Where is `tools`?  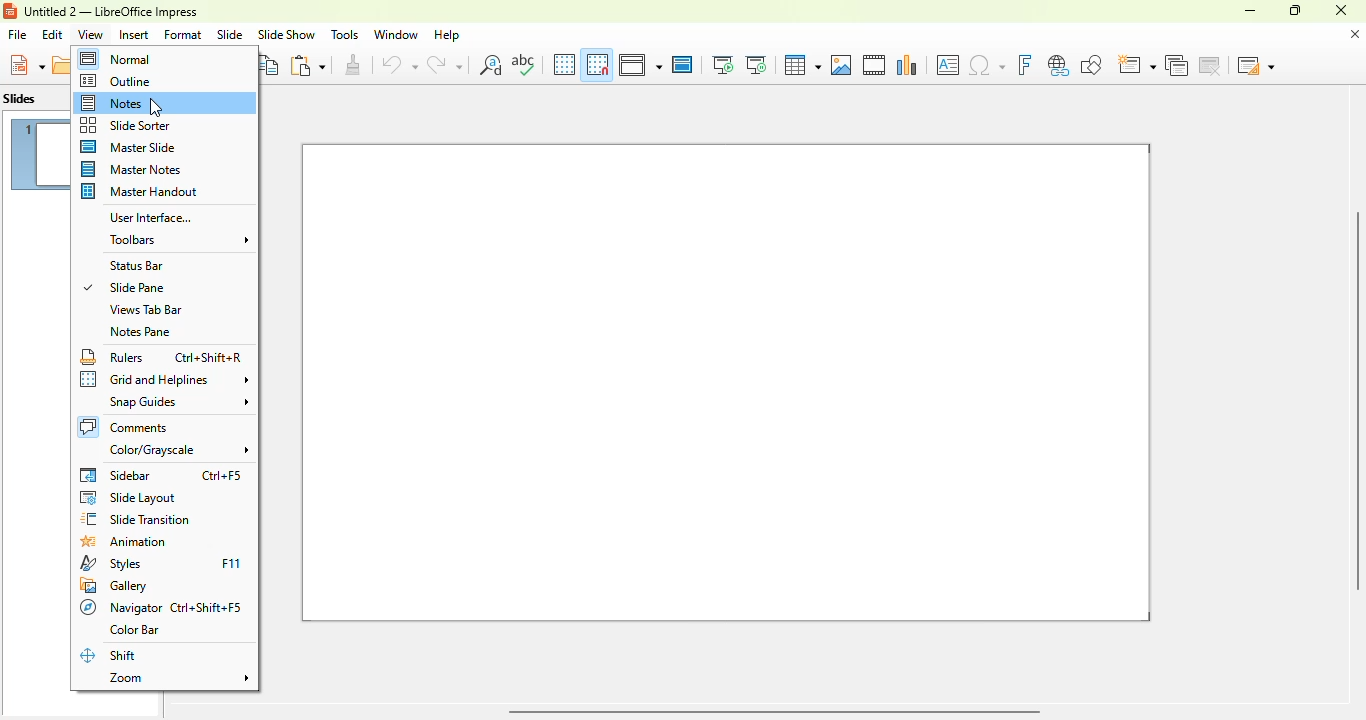 tools is located at coordinates (345, 34).